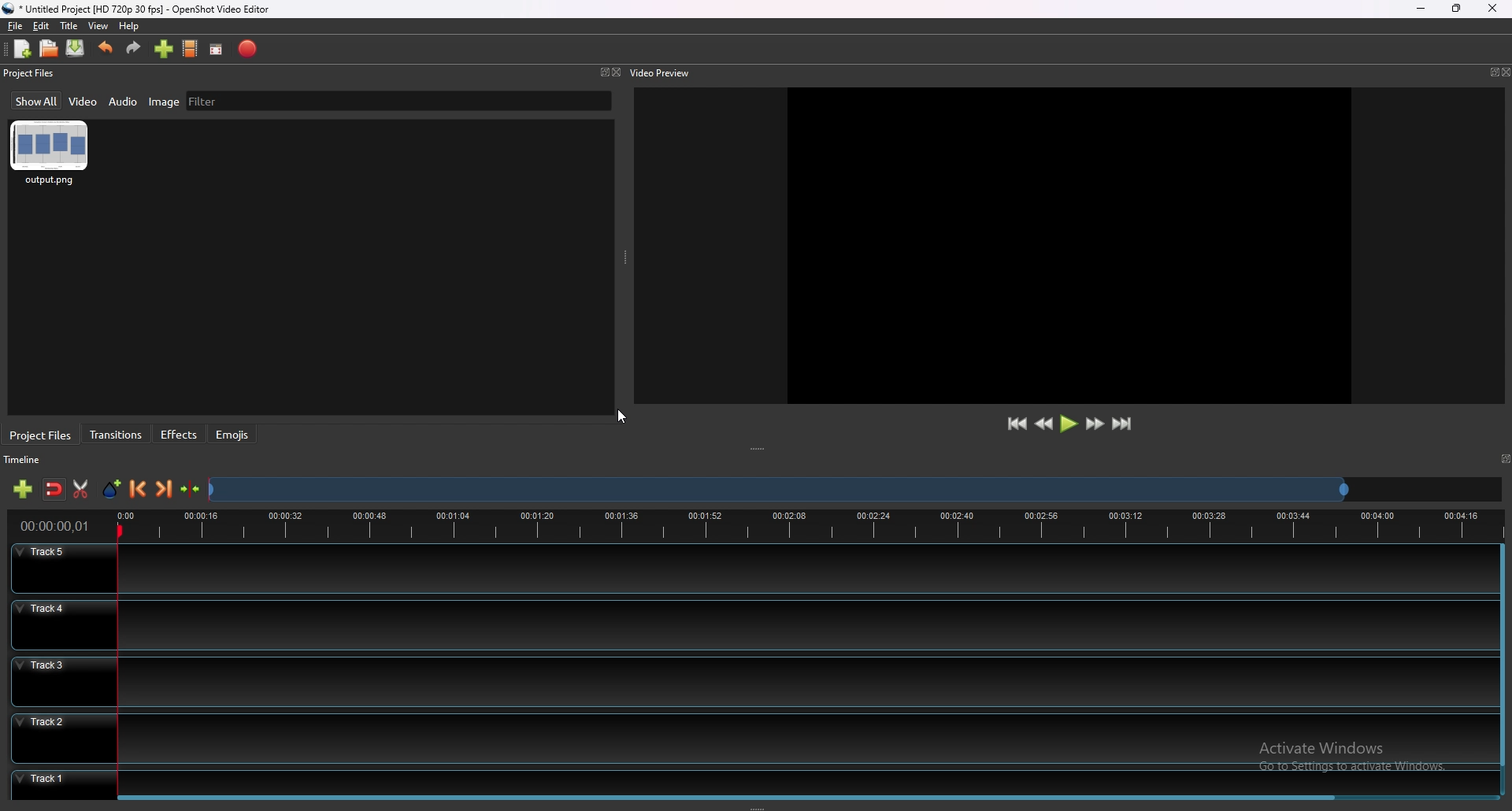 The height and width of the screenshot is (811, 1512). I want to click on track 1, so click(747, 780).